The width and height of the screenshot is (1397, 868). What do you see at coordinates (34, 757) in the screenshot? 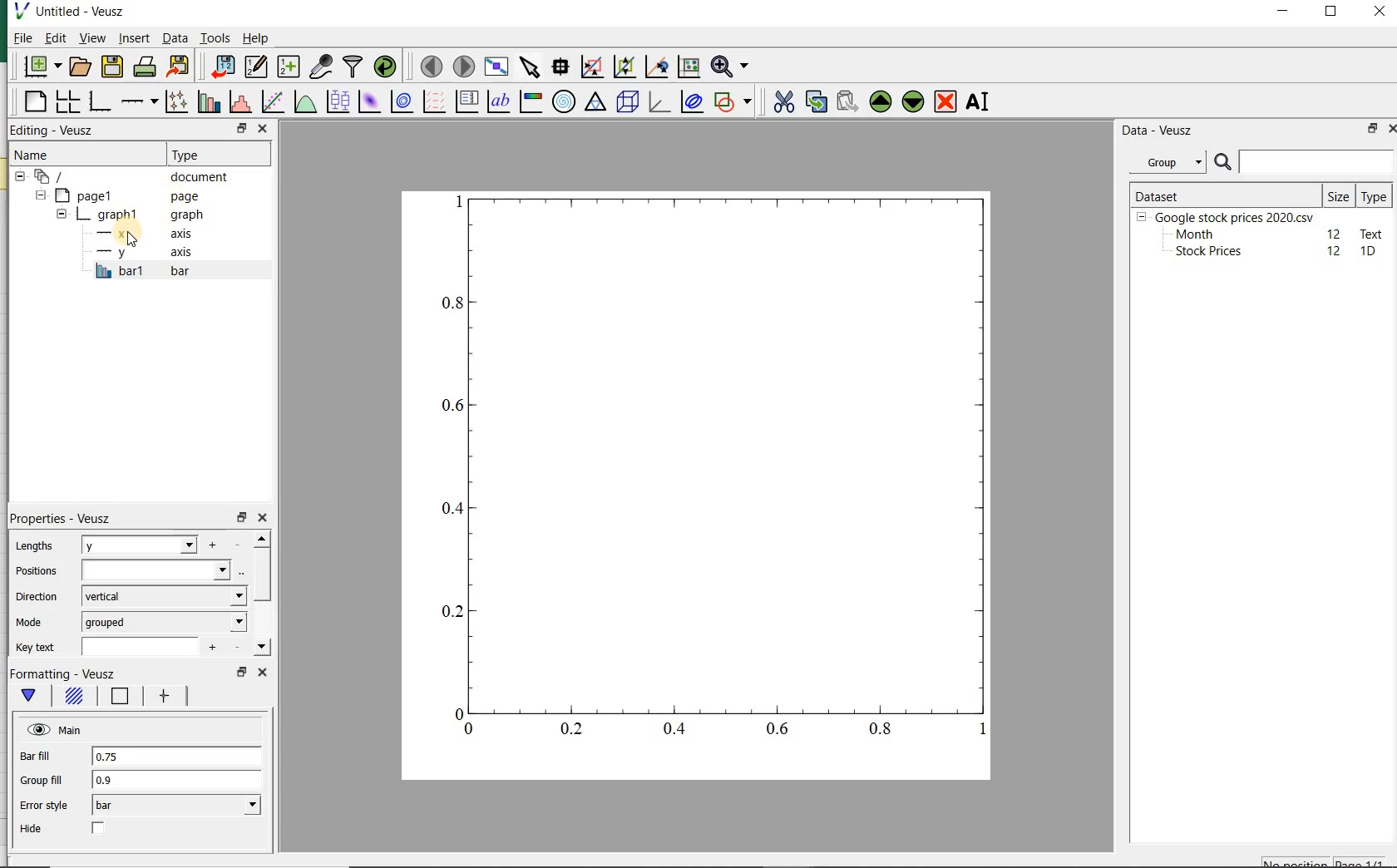
I see `Bar fill` at bounding box center [34, 757].